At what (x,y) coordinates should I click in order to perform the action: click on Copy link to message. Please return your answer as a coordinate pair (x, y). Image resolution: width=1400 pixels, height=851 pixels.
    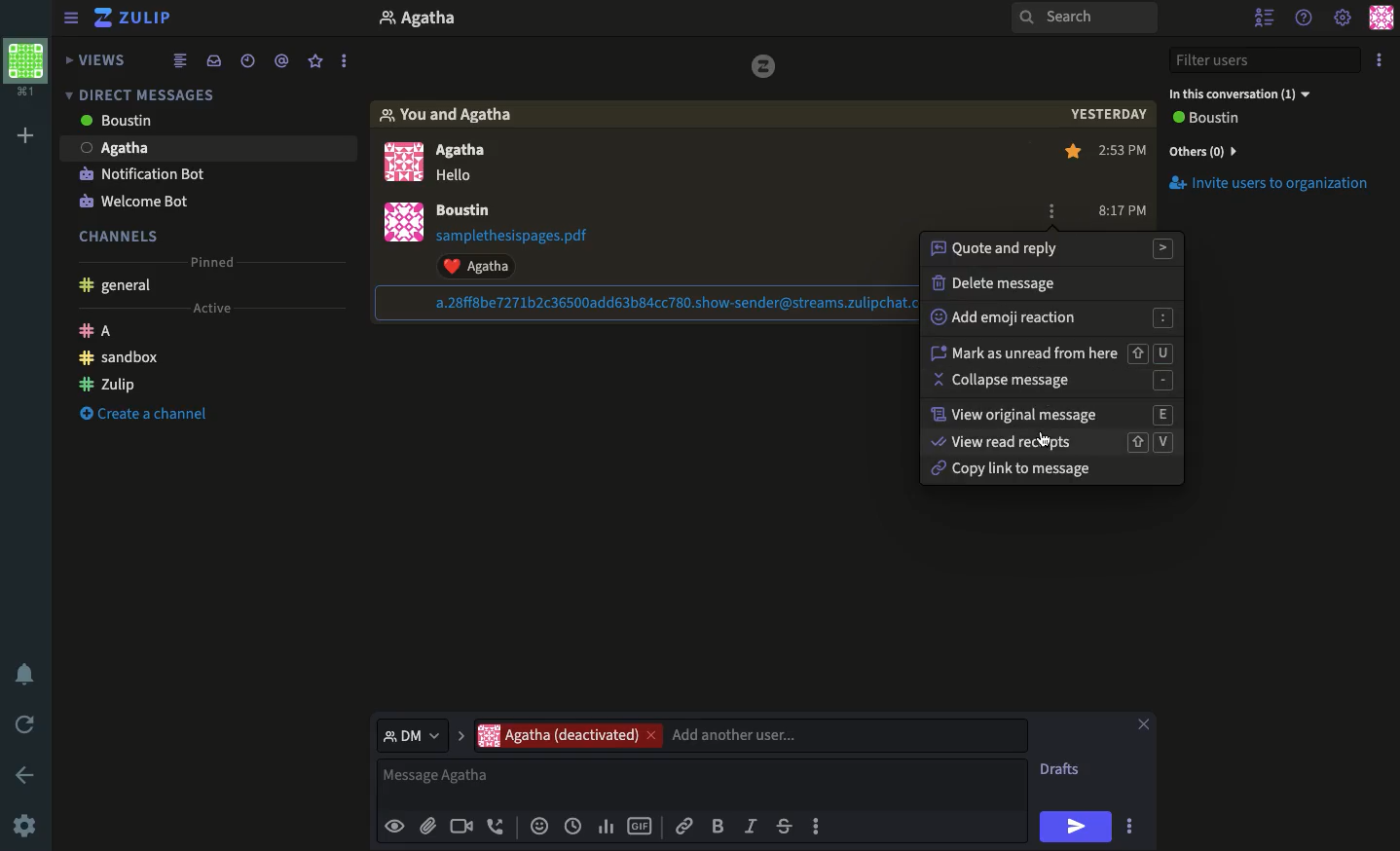
    Looking at the image, I should click on (1007, 468).